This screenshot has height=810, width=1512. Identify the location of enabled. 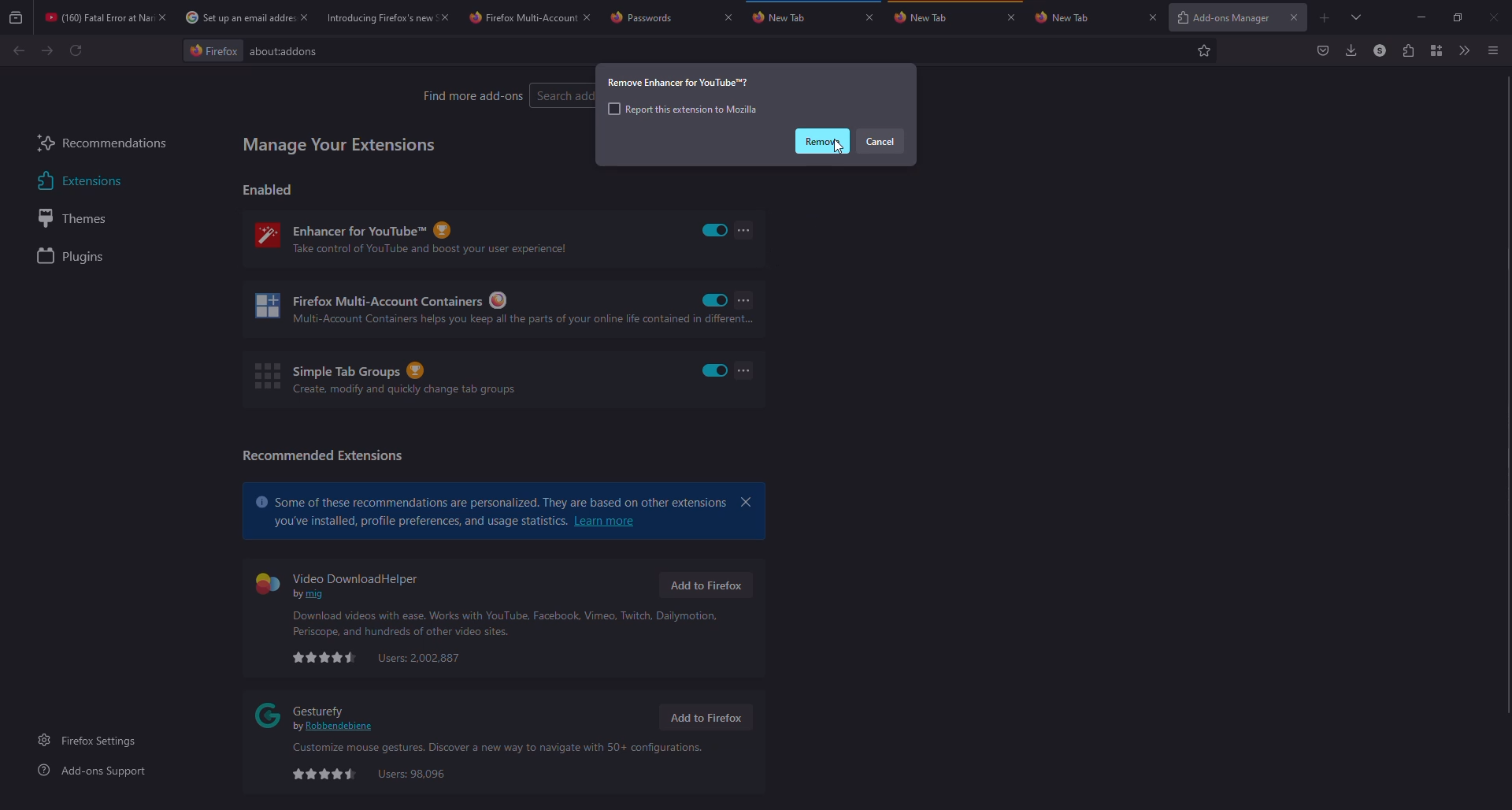
(269, 189).